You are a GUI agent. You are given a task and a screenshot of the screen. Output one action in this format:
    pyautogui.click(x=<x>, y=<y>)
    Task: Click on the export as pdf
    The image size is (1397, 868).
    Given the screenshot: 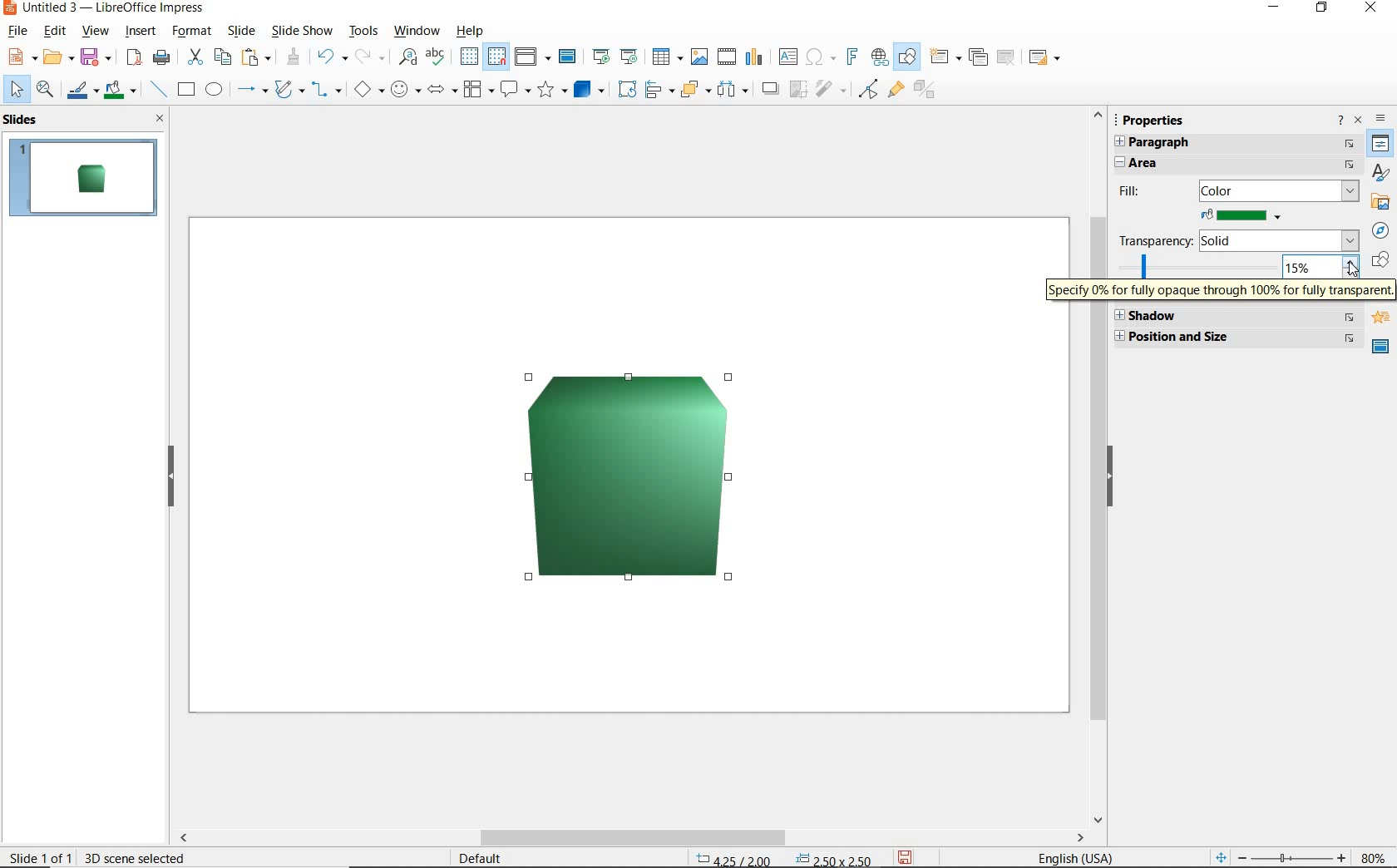 What is the action you would take?
    pyautogui.click(x=135, y=60)
    